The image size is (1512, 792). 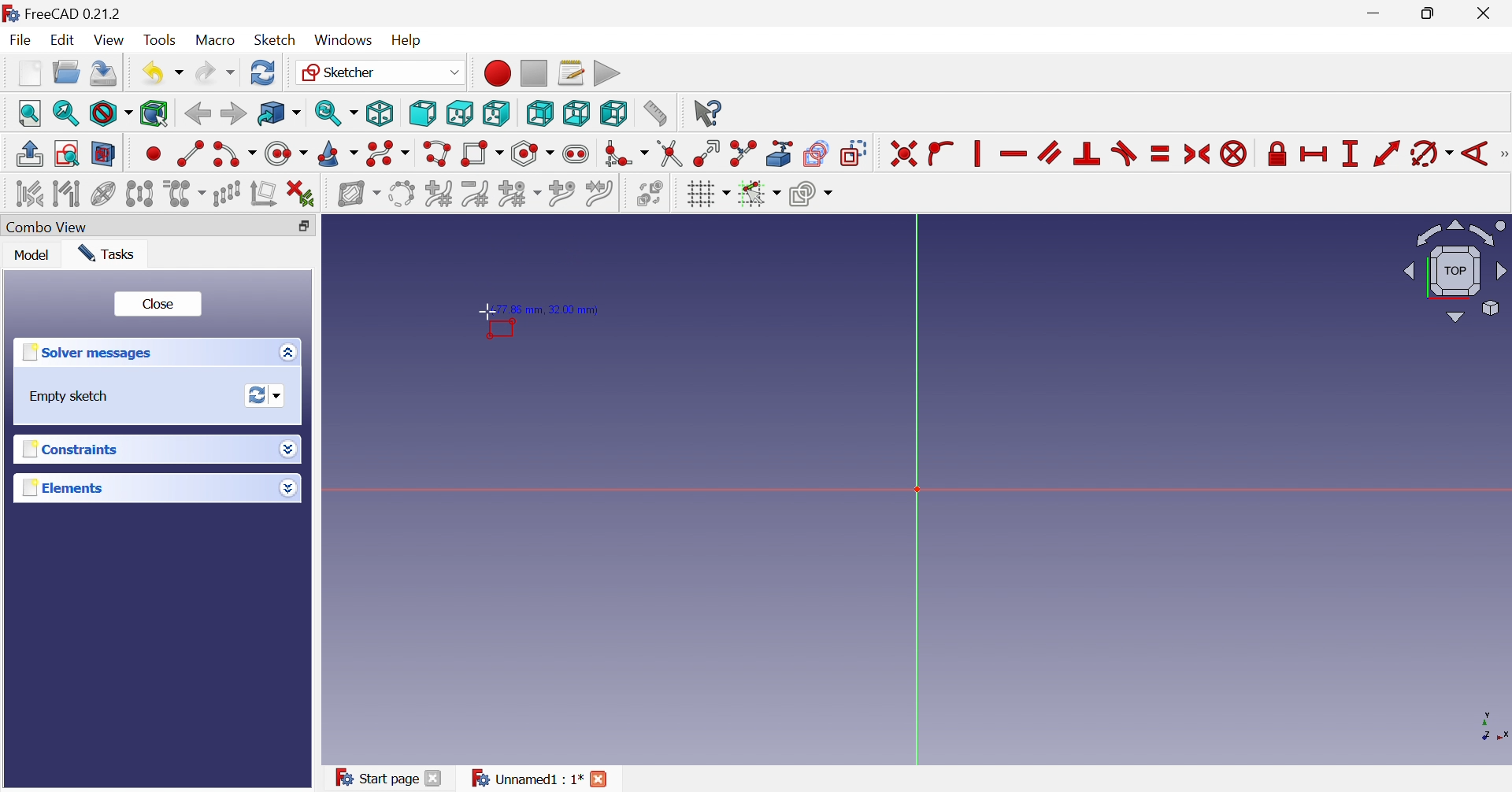 I want to click on Back, so click(x=197, y=114).